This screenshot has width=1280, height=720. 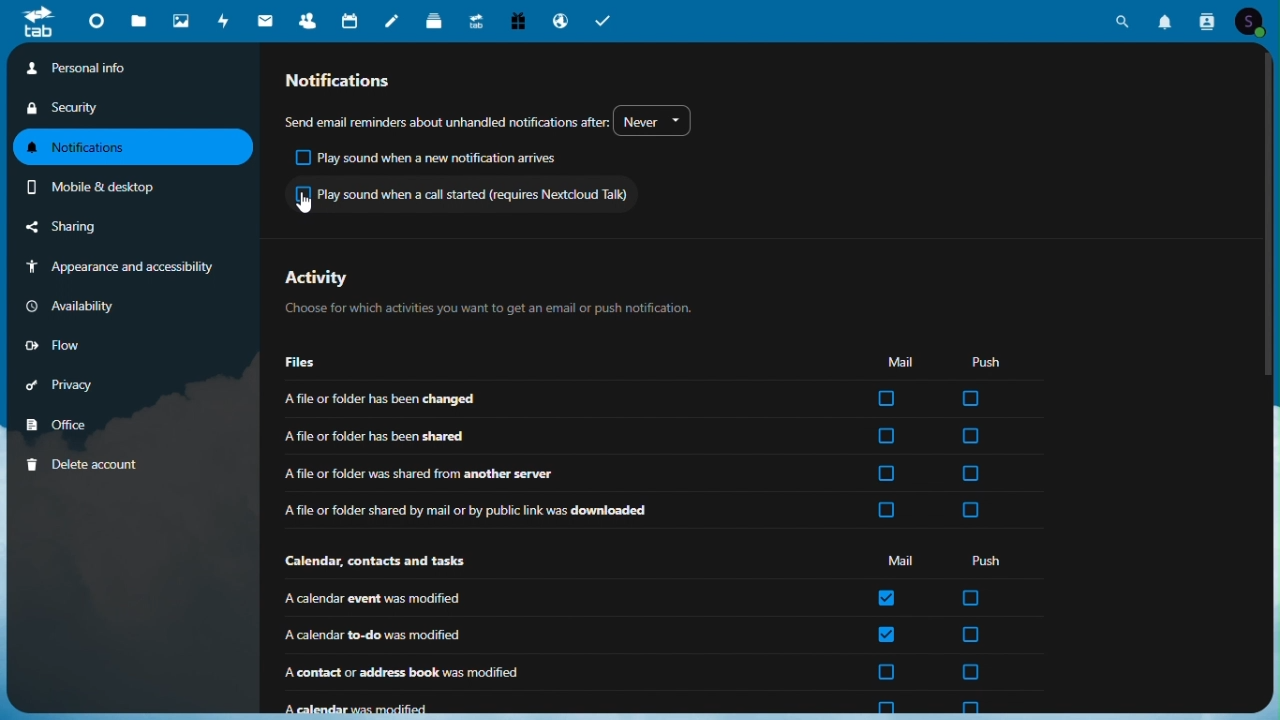 What do you see at coordinates (898, 562) in the screenshot?
I see `mail` at bounding box center [898, 562].